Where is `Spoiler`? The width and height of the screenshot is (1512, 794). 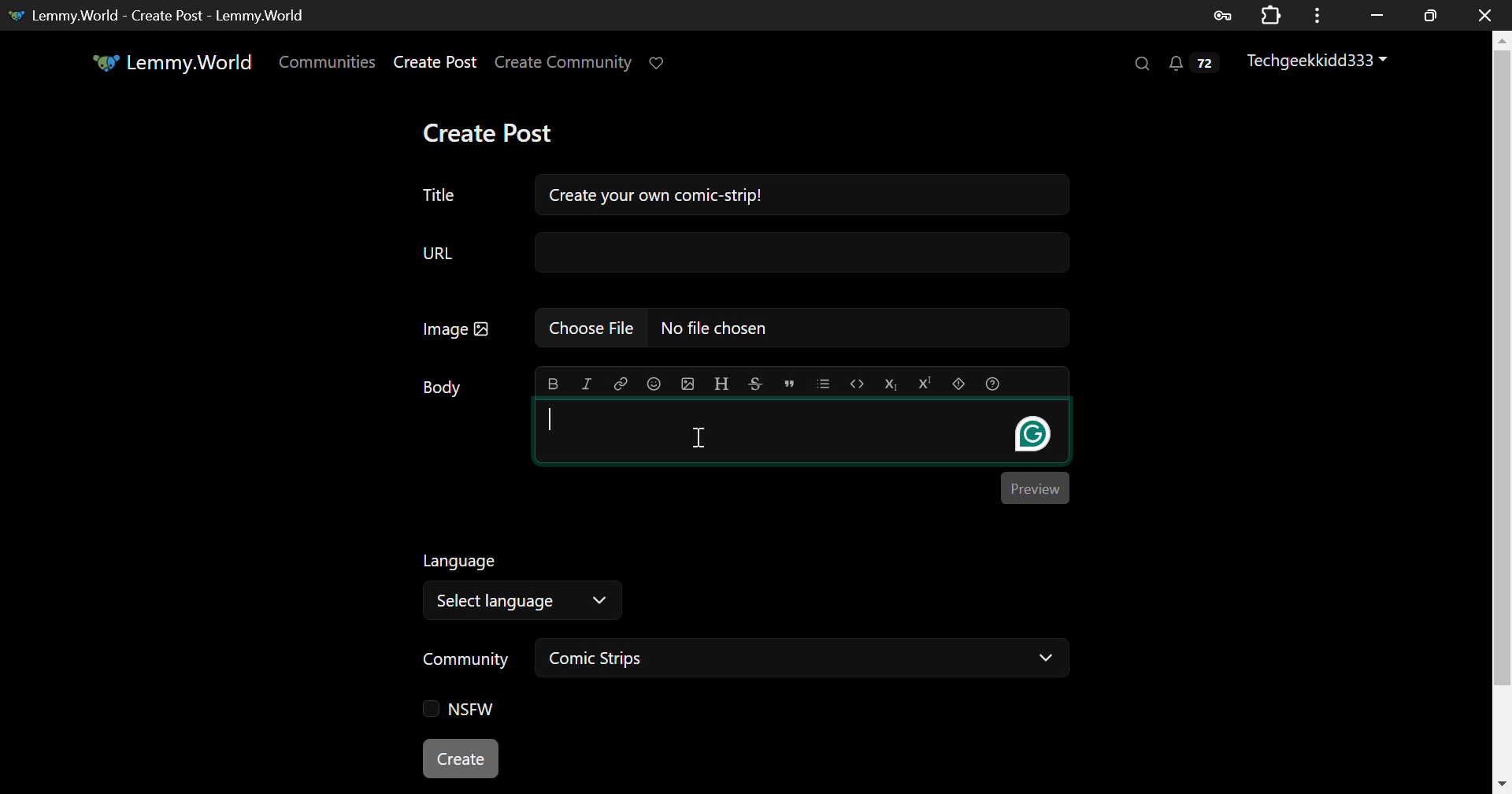 Spoiler is located at coordinates (958, 384).